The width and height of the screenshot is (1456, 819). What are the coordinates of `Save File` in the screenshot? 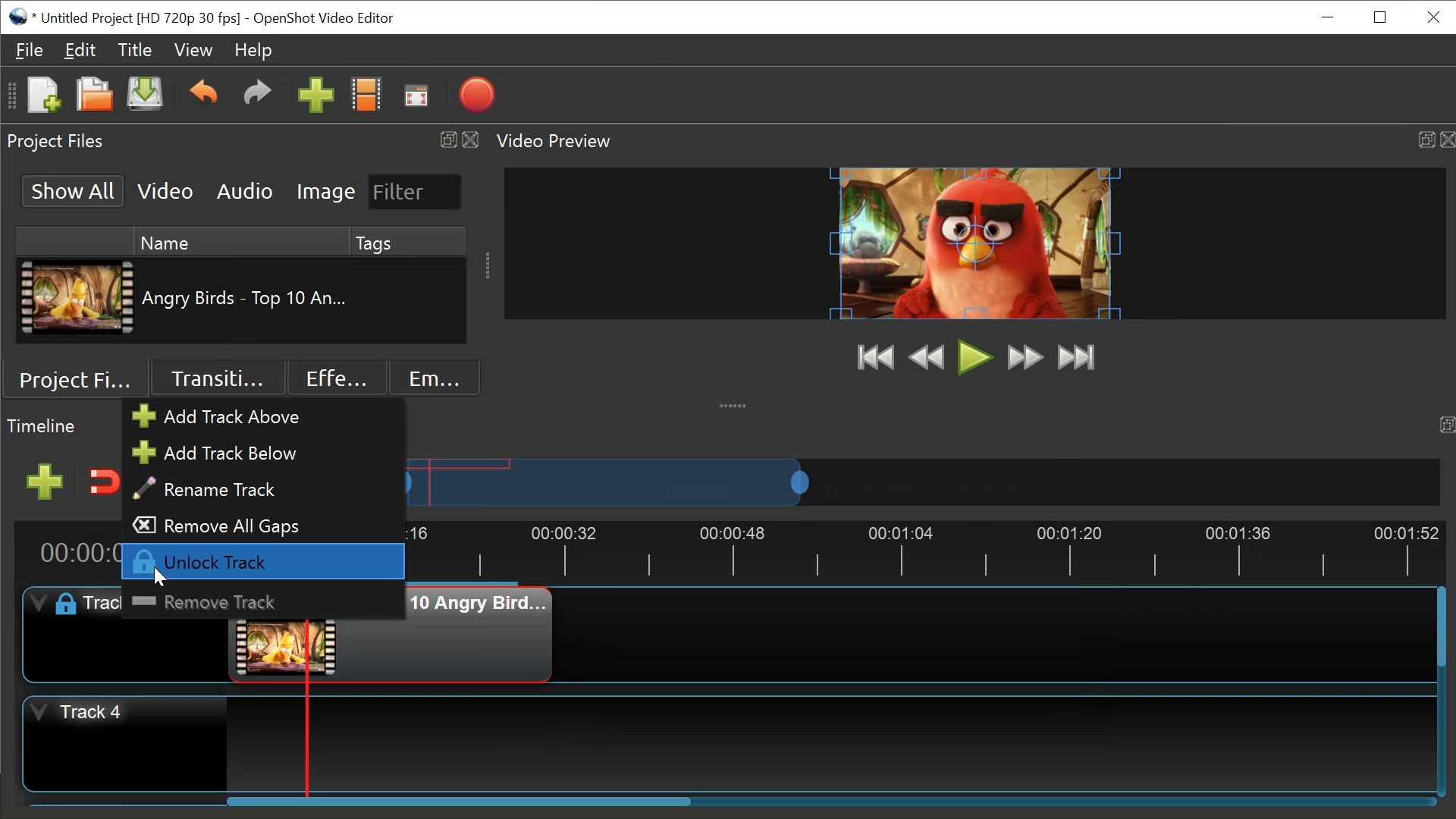 It's located at (147, 96).